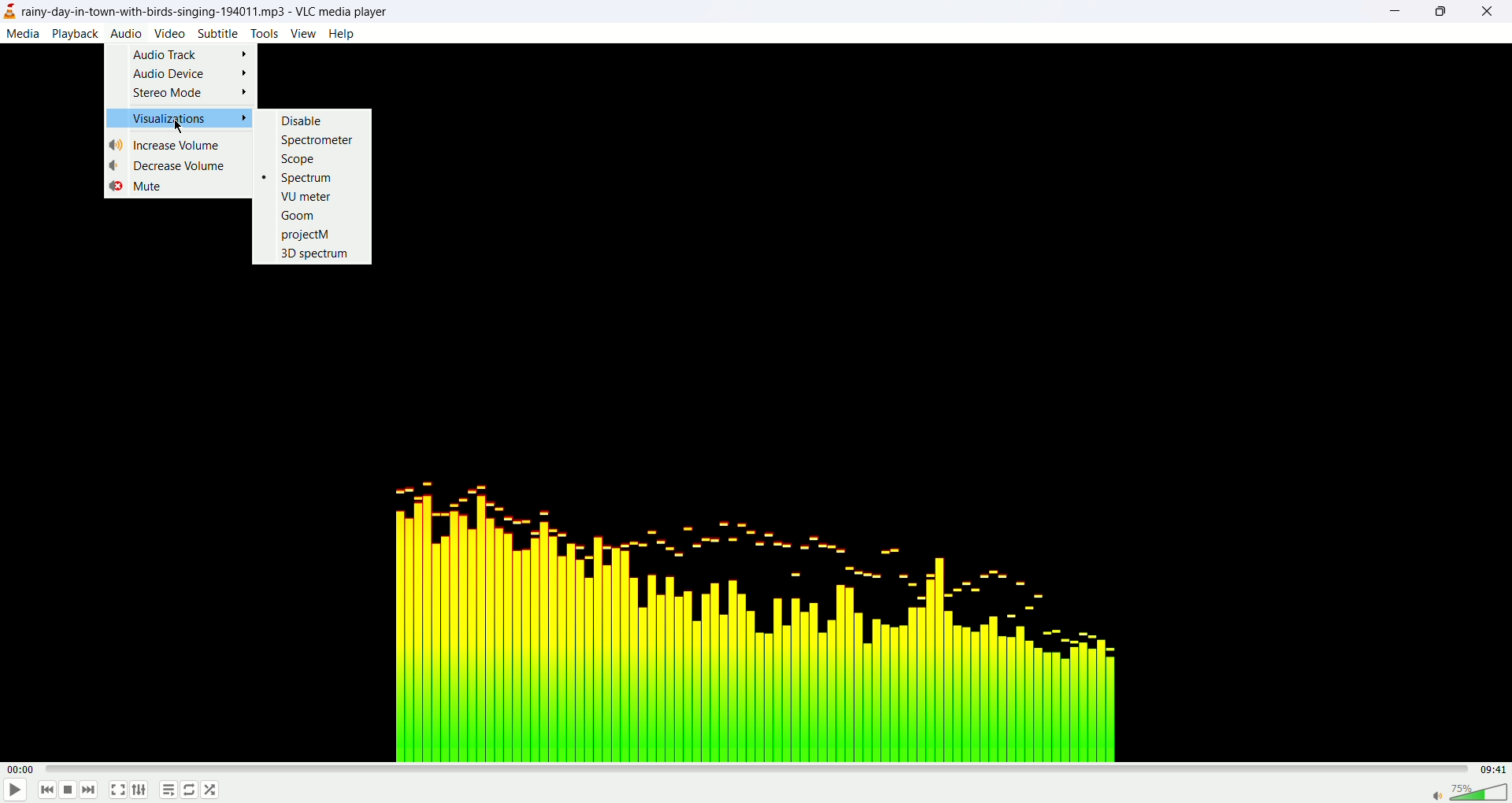 The height and width of the screenshot is (803, 1512). I want to click on audio device, so click(191, 73).